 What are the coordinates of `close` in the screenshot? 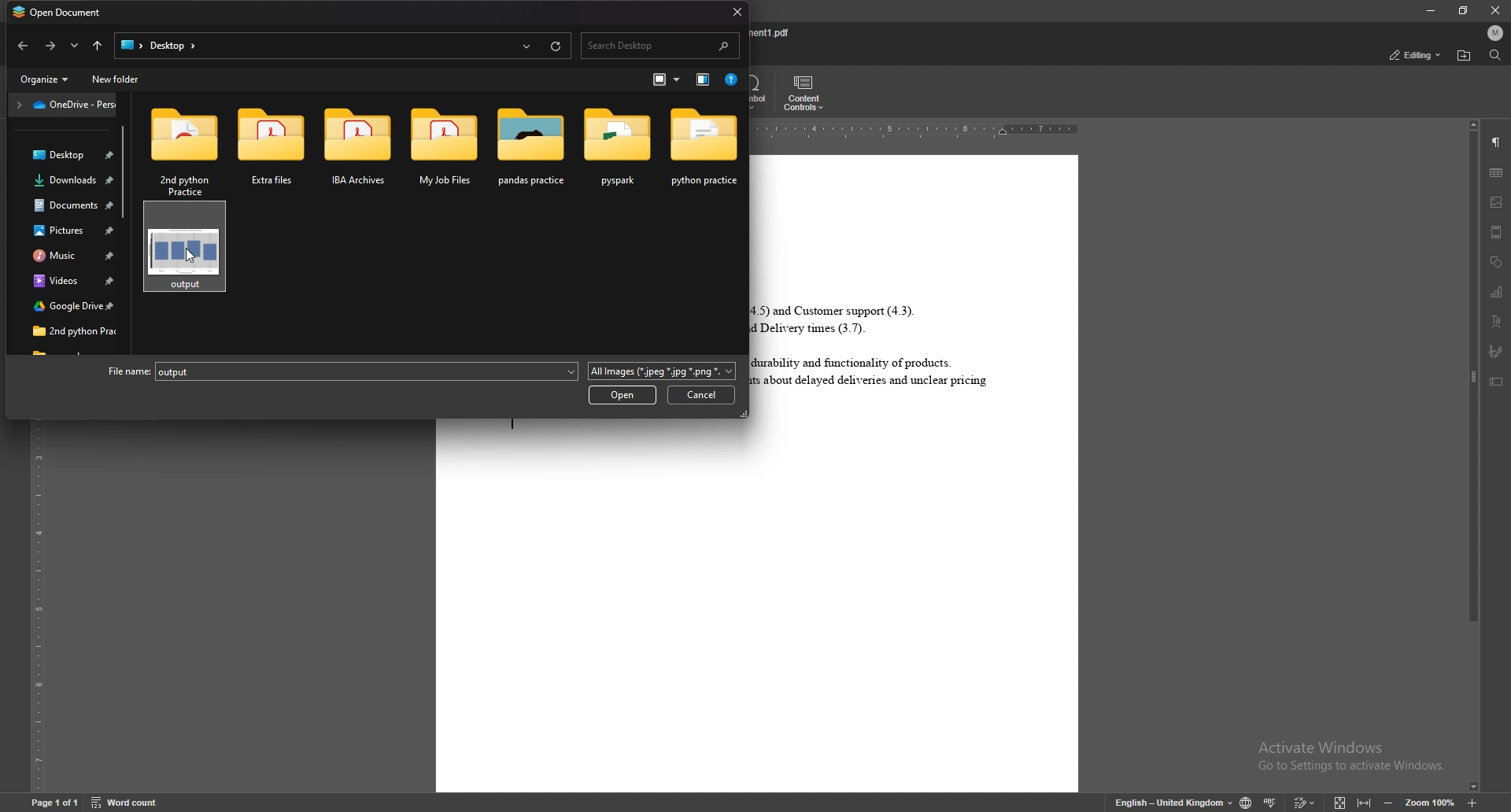 It's located at (1493, 10).